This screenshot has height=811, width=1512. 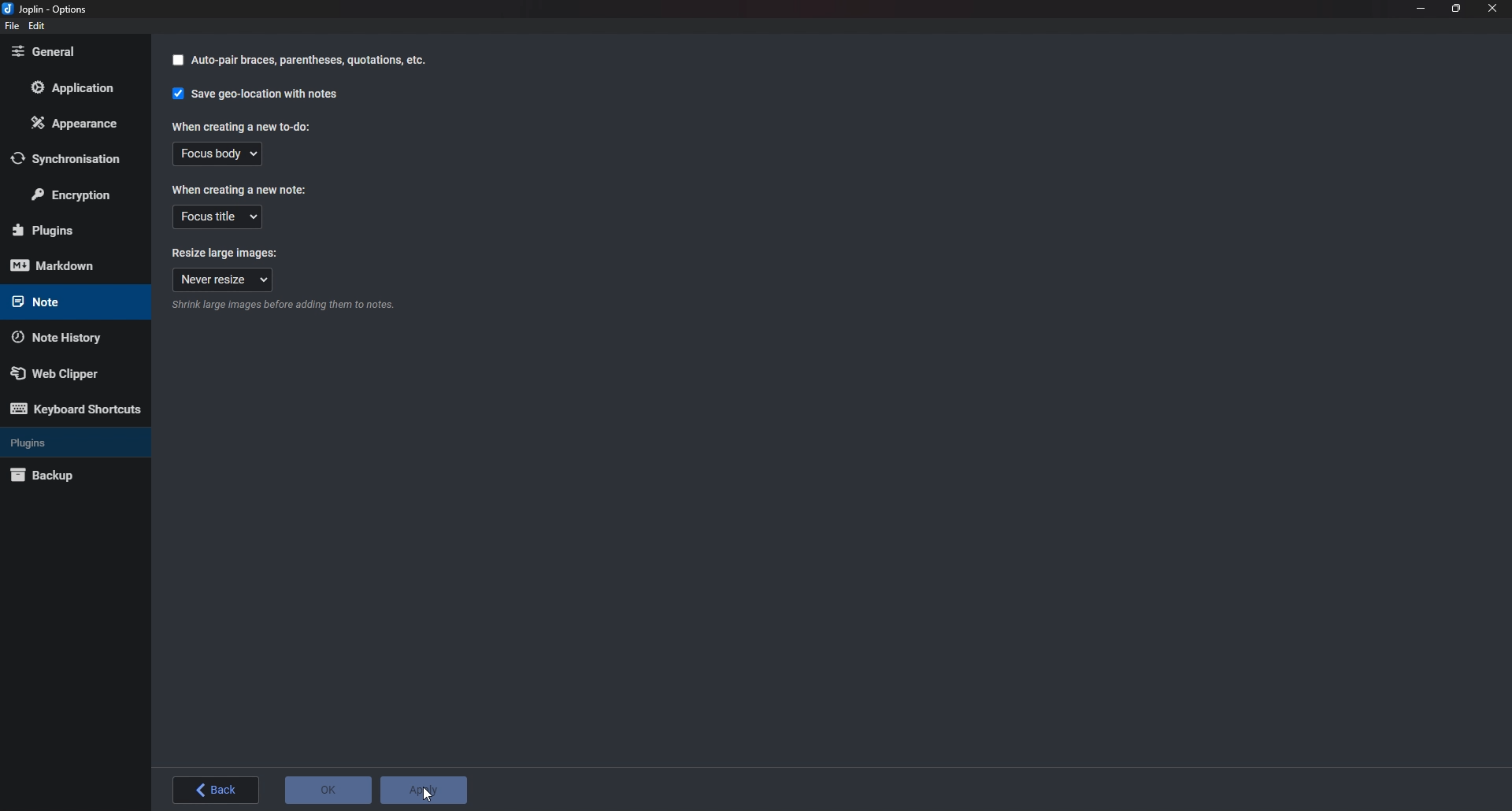 I want to click on Resize, so click(x=1458, y=9).